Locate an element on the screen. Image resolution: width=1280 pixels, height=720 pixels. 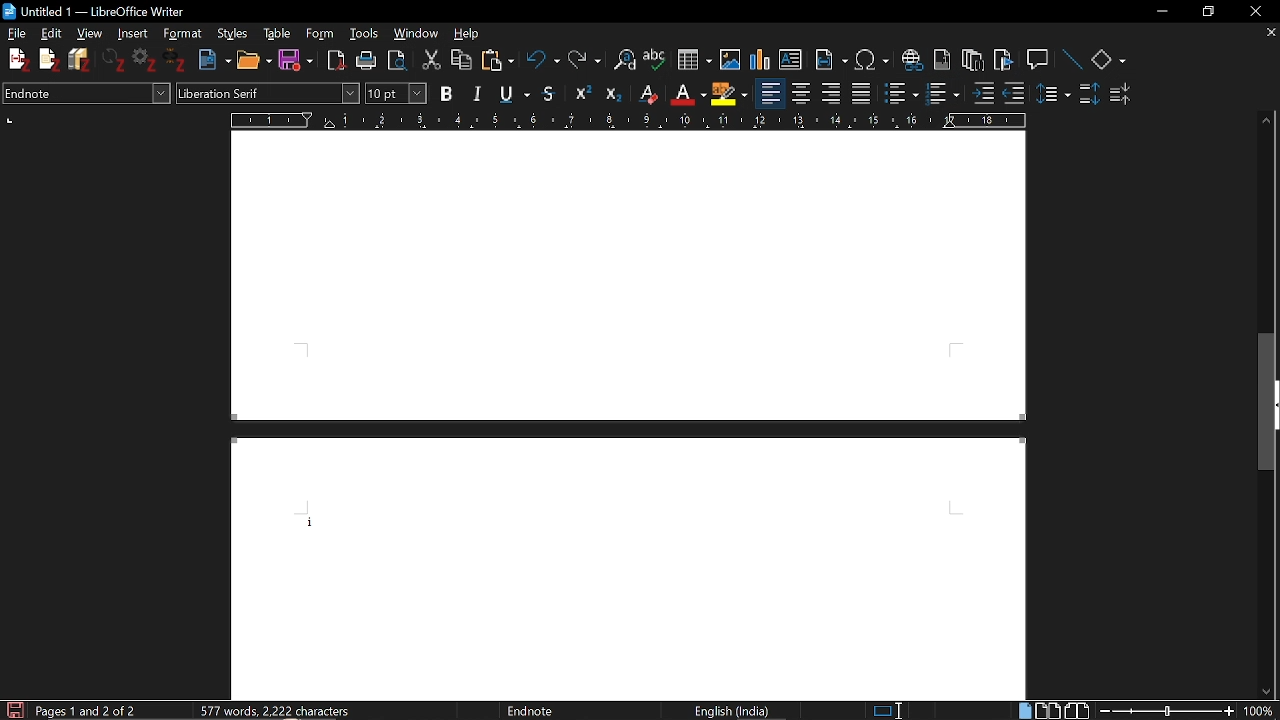
Add citation is located at coordinates (14, 57).